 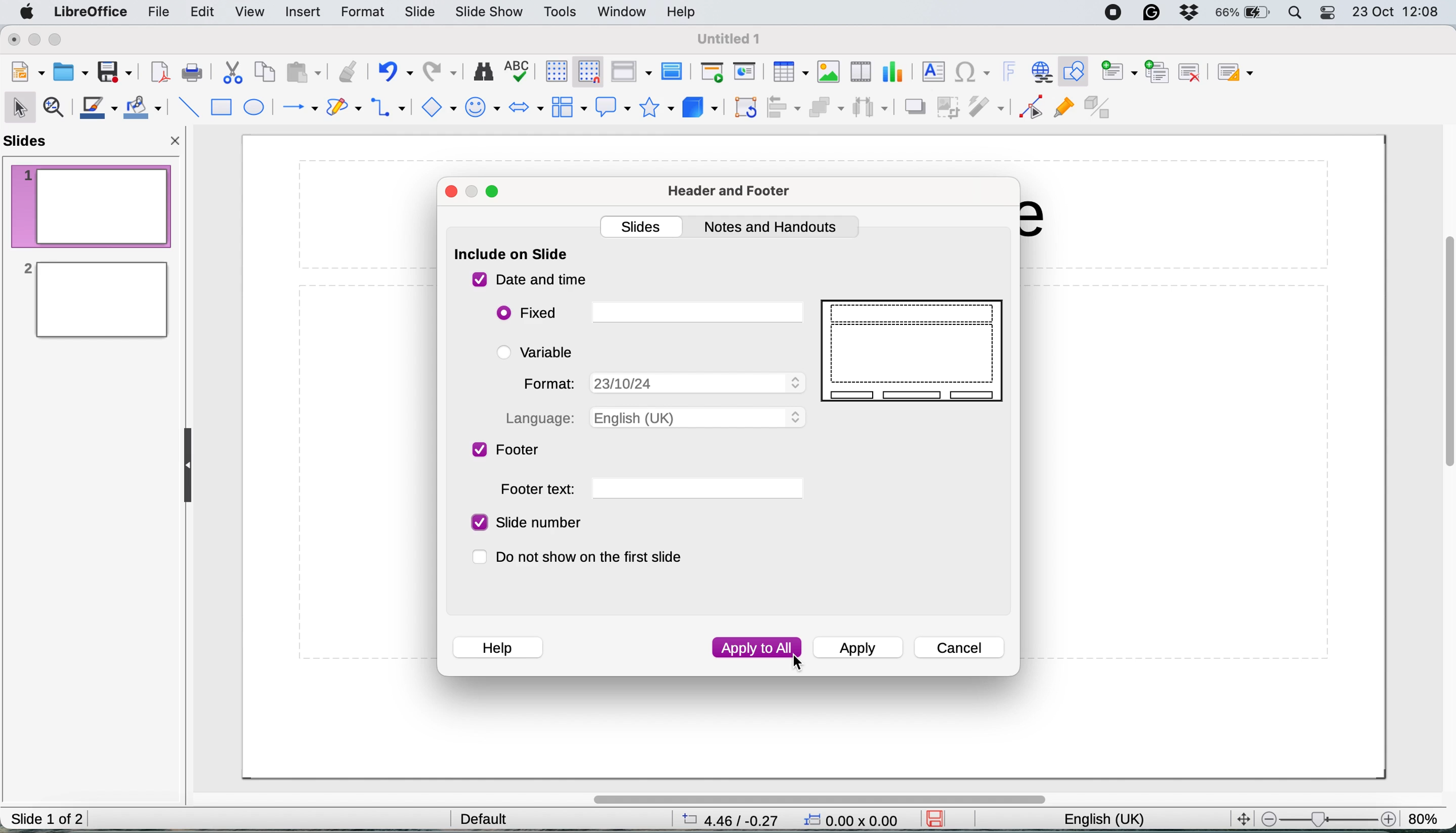 What do you see at coordinates (1190, 72) in the screenshot?
I see `delete slide` at bounding box center [1190, 72].